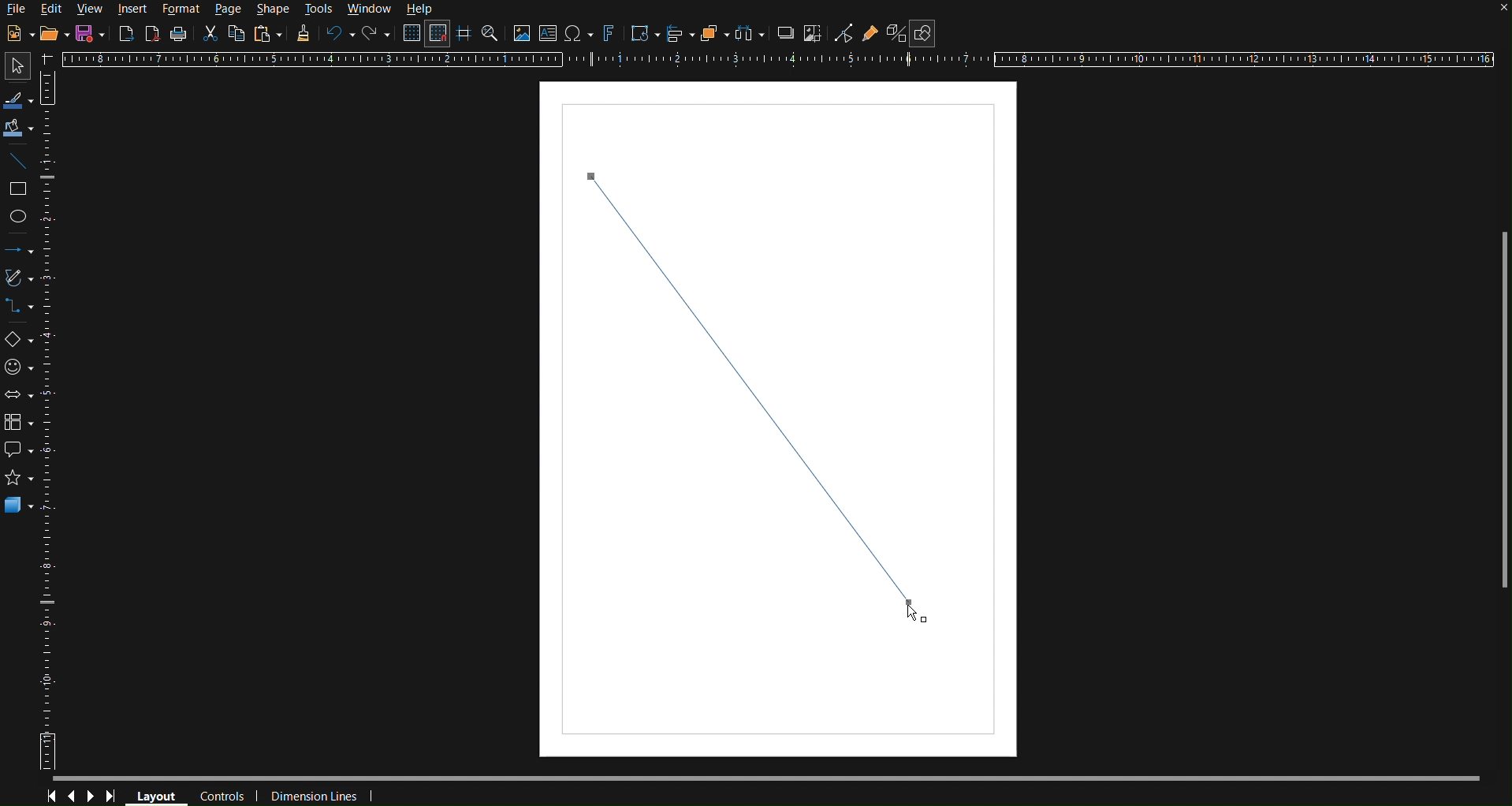 This screenshot has height=806, width=1512. I want to click on Horizontal Ruler, so click(782, 61).